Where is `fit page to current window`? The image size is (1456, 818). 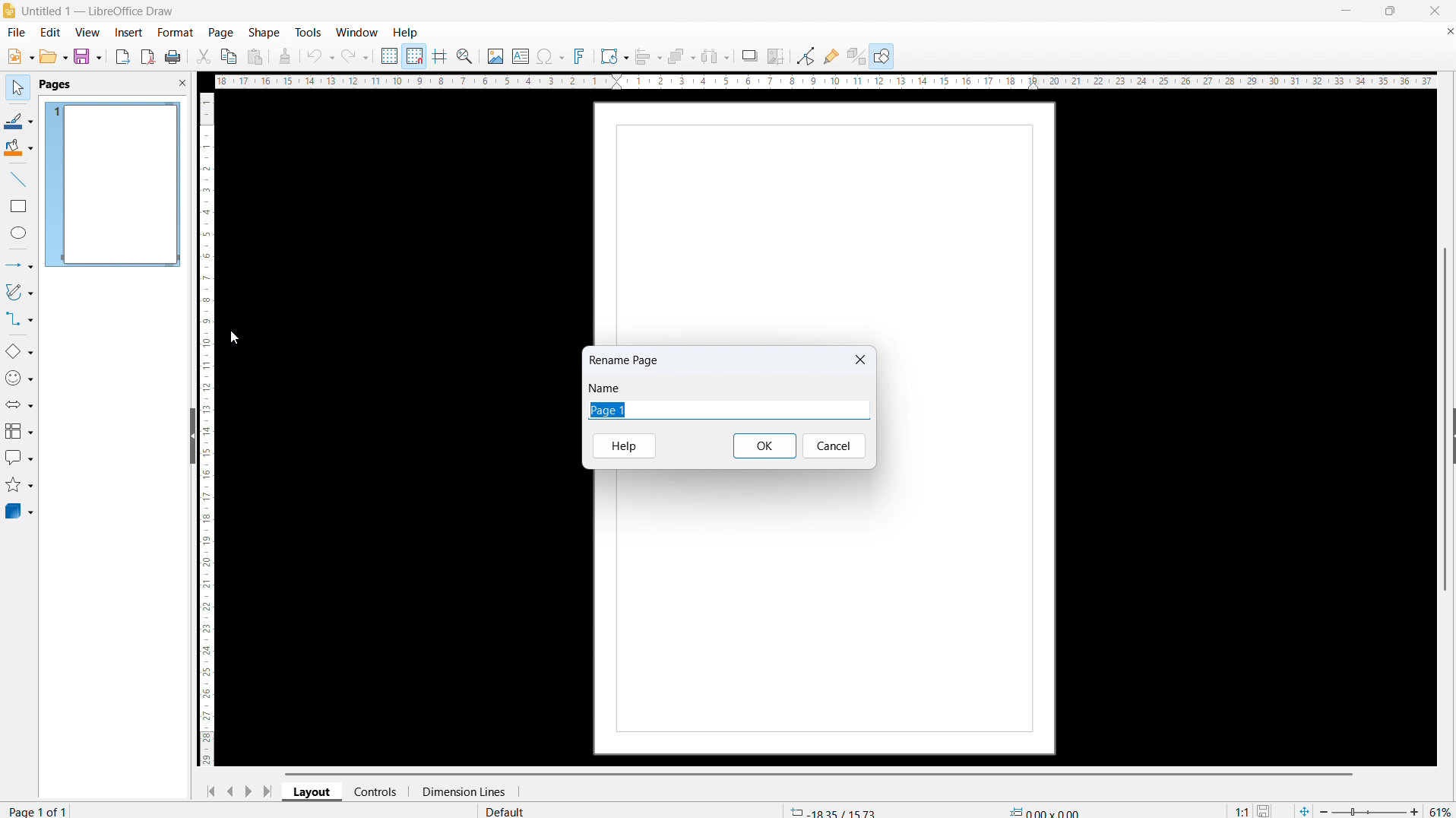
fit page to current window is located at coordinates (1304, 810).